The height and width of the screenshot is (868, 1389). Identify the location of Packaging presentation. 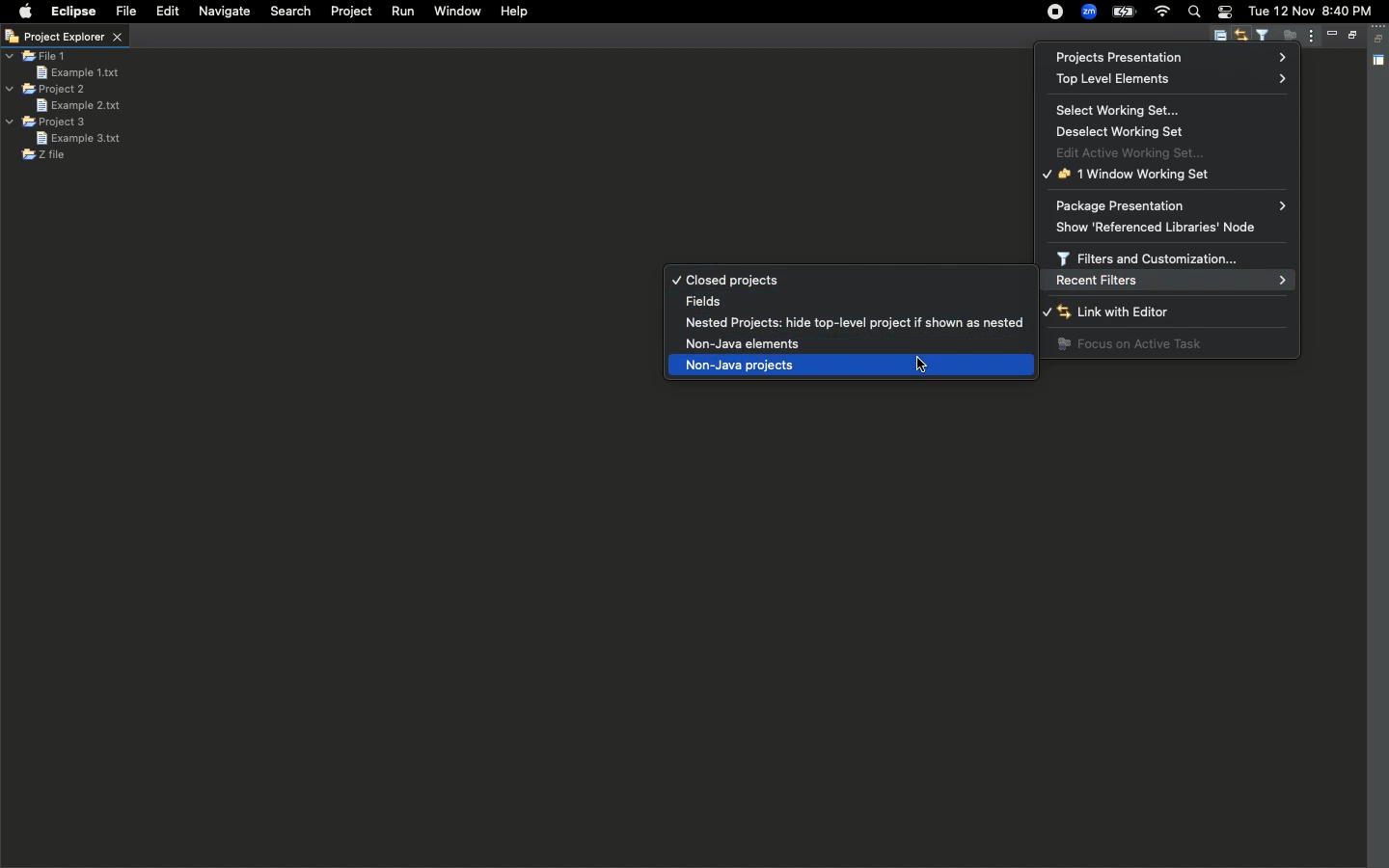
(1171, 204).